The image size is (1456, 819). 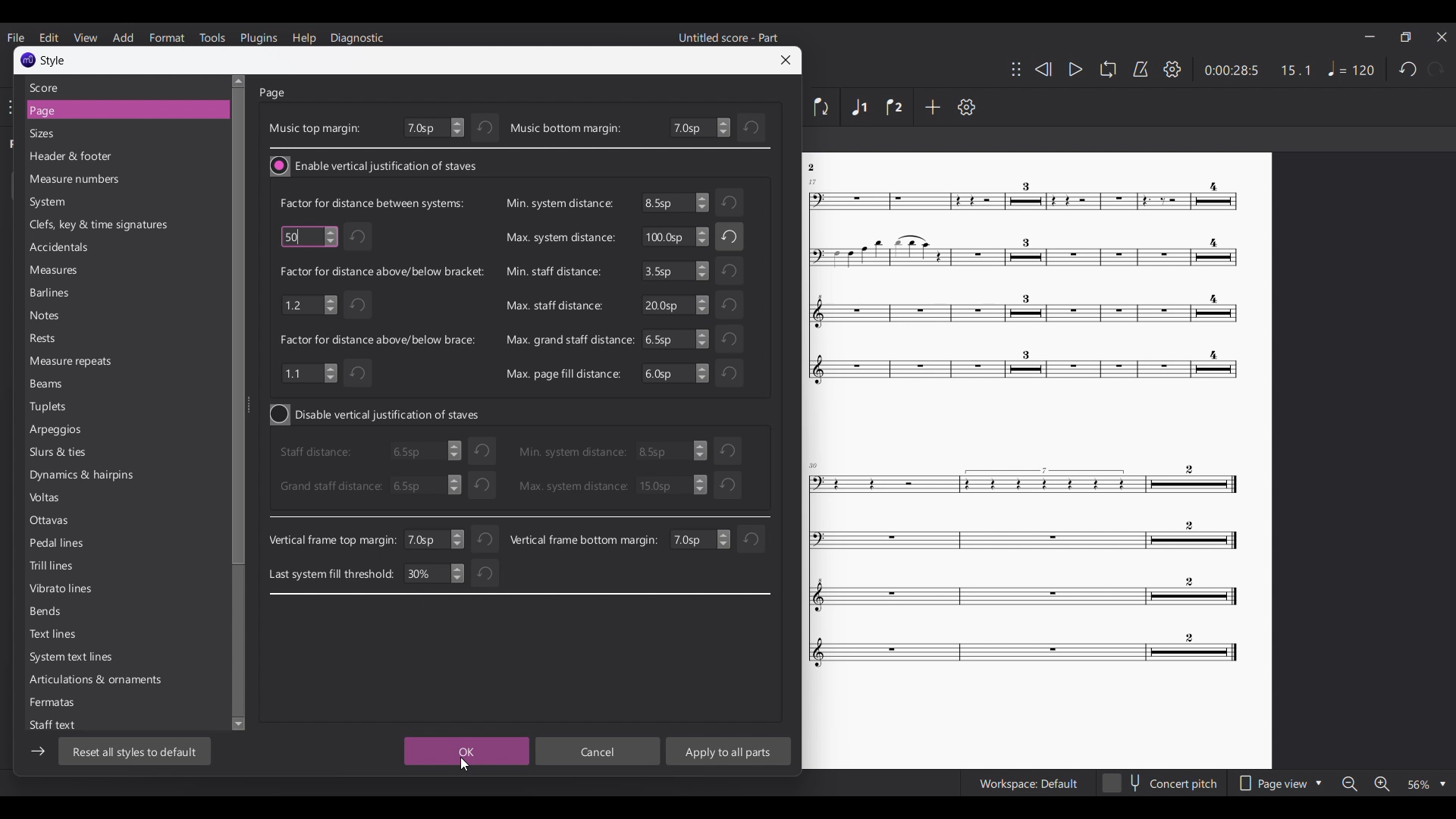 I want to click on Settings, so click(x=966, y=107).